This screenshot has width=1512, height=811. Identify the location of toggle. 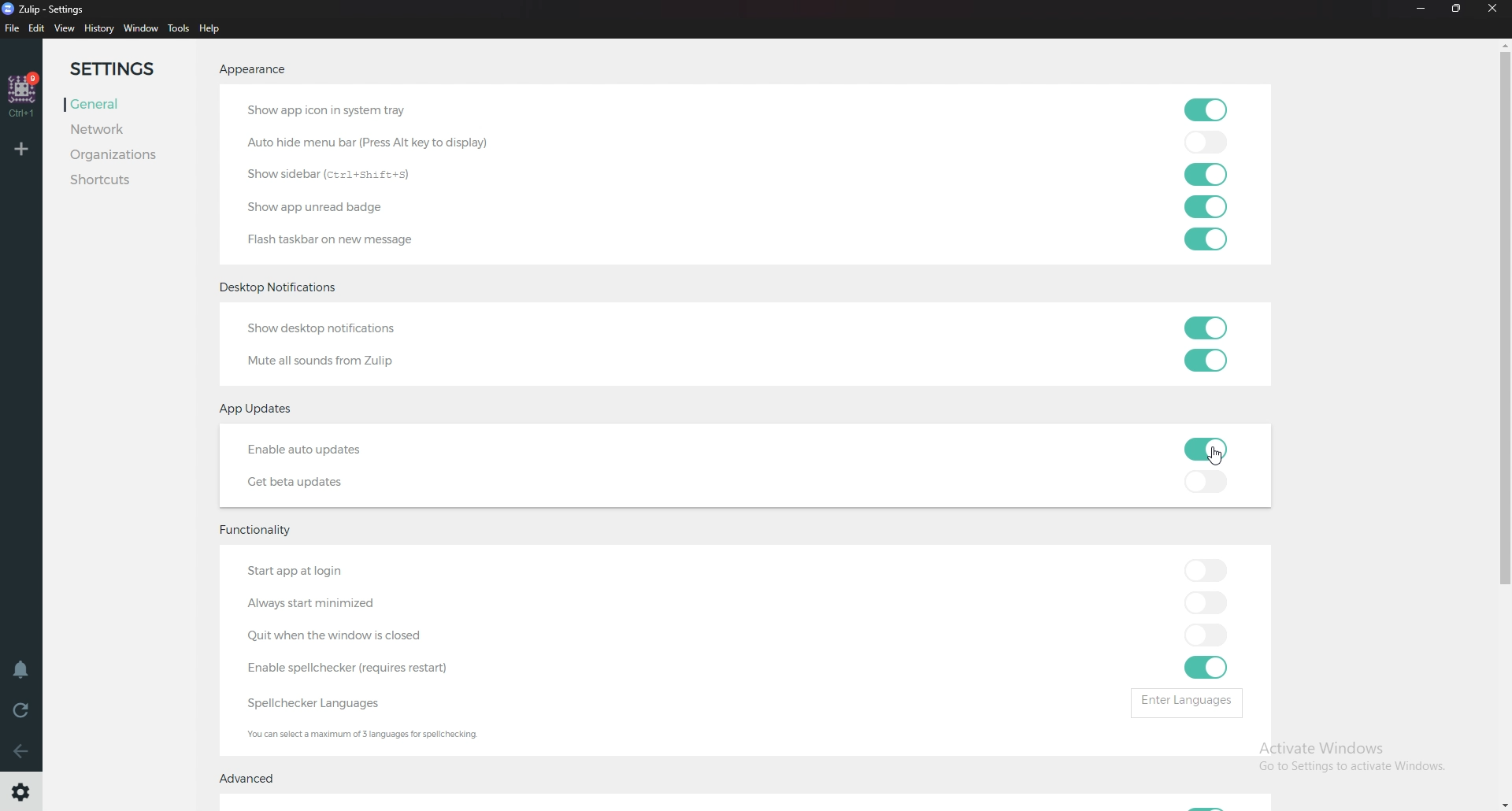
(1206, 239).